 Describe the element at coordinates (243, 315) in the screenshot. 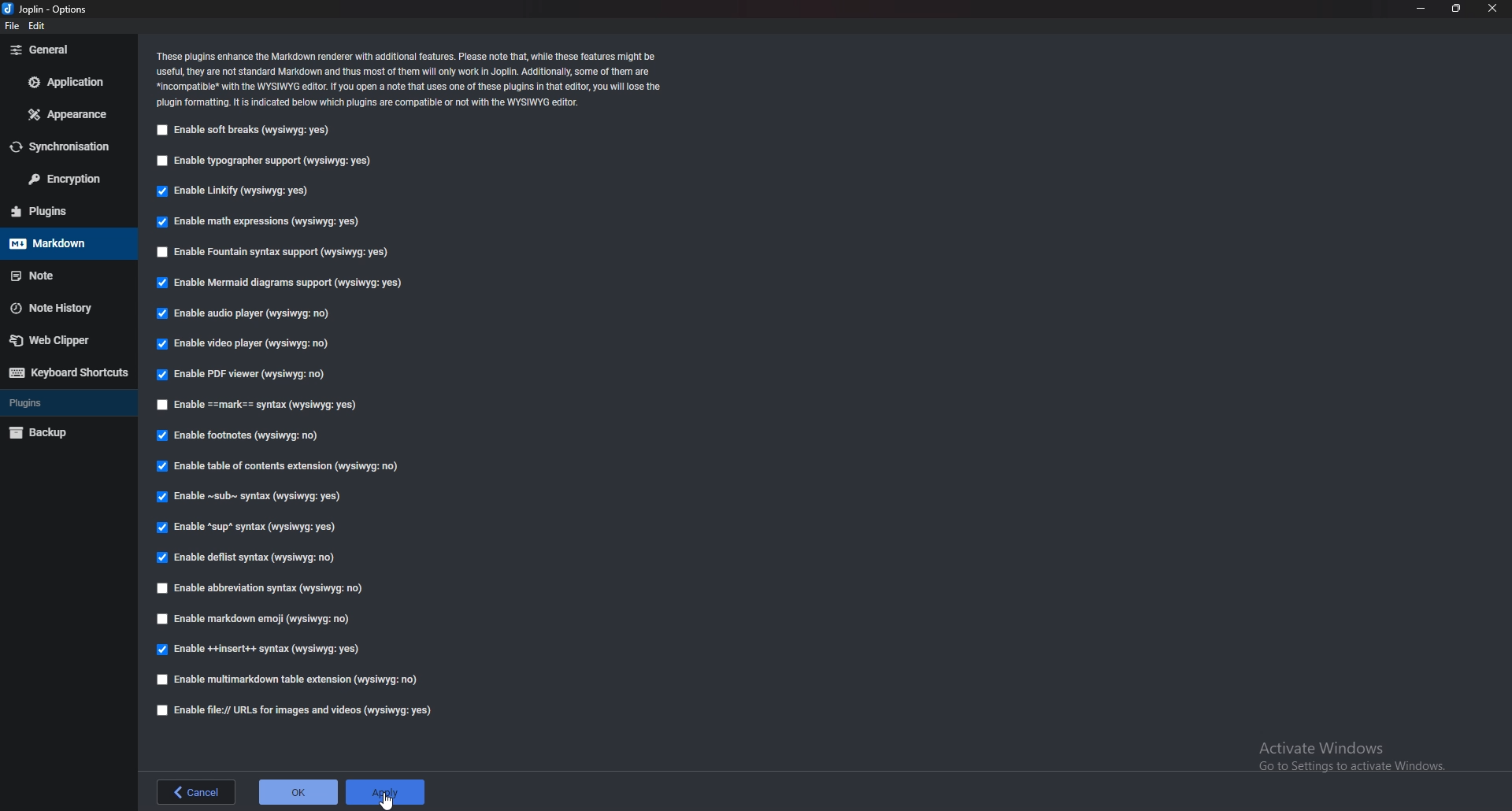

I see `Enable audio player` at that location.